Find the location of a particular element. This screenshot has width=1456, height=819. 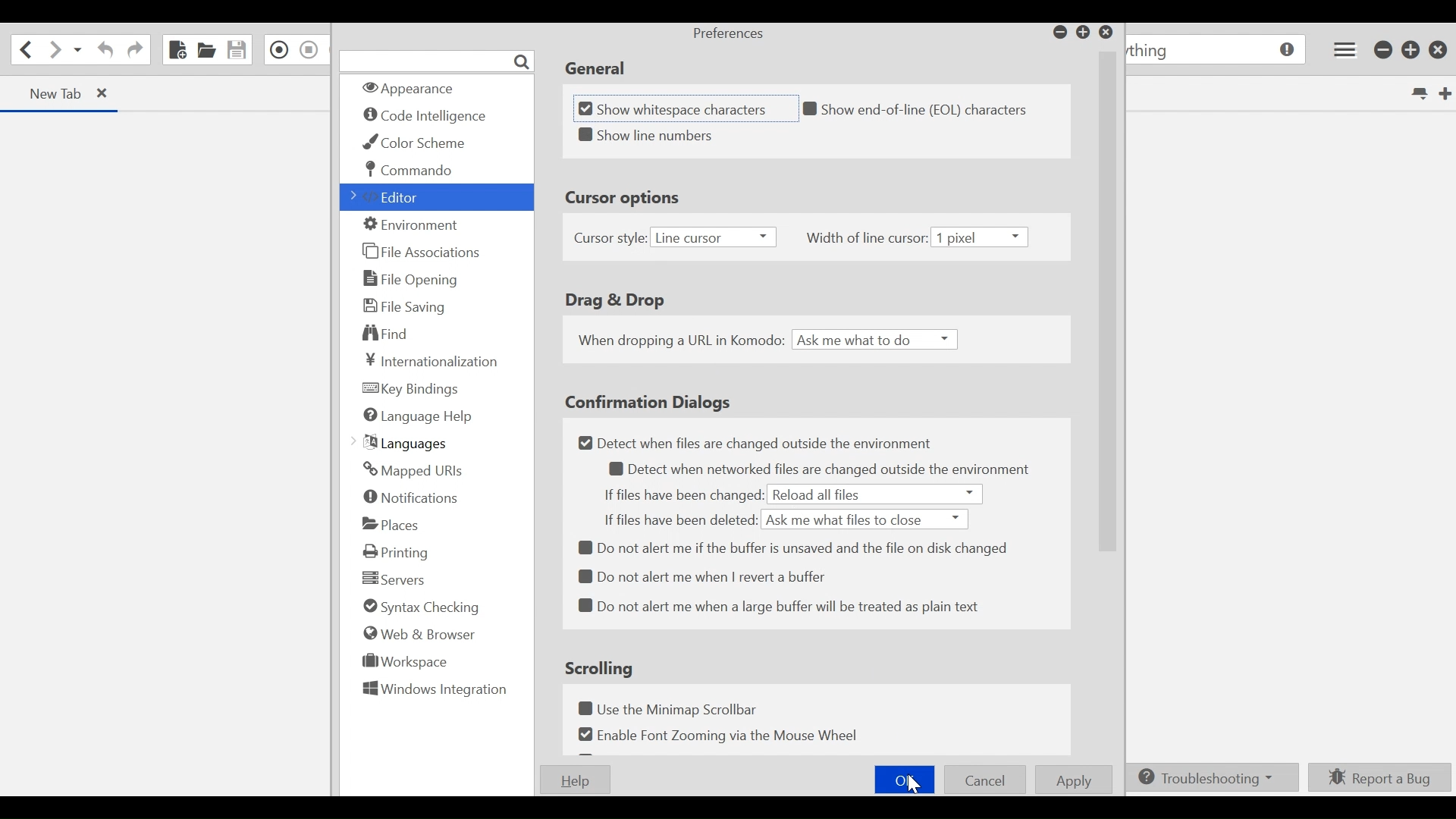

Syntax checking is located at coordinates (418, 607).